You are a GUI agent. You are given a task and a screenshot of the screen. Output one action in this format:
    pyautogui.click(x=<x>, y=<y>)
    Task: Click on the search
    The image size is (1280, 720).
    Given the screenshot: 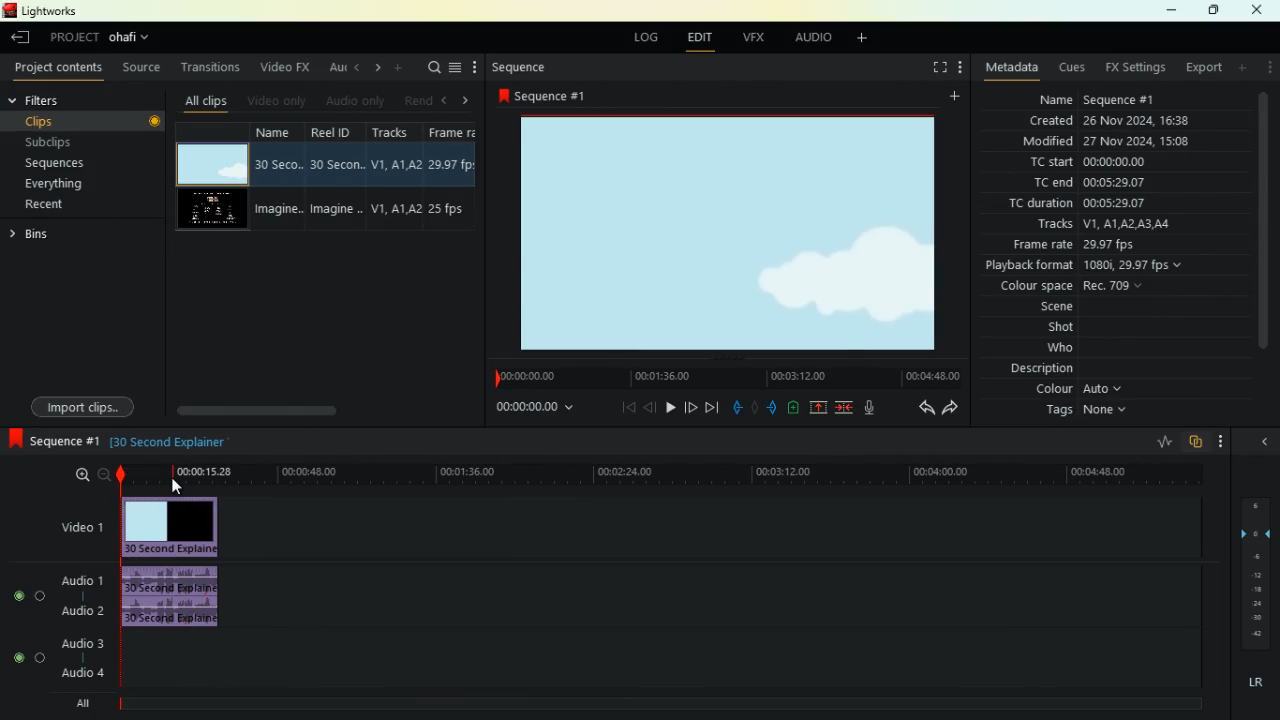 What is the action you would take?
    pyautogui.click(x=433, y=69)
    